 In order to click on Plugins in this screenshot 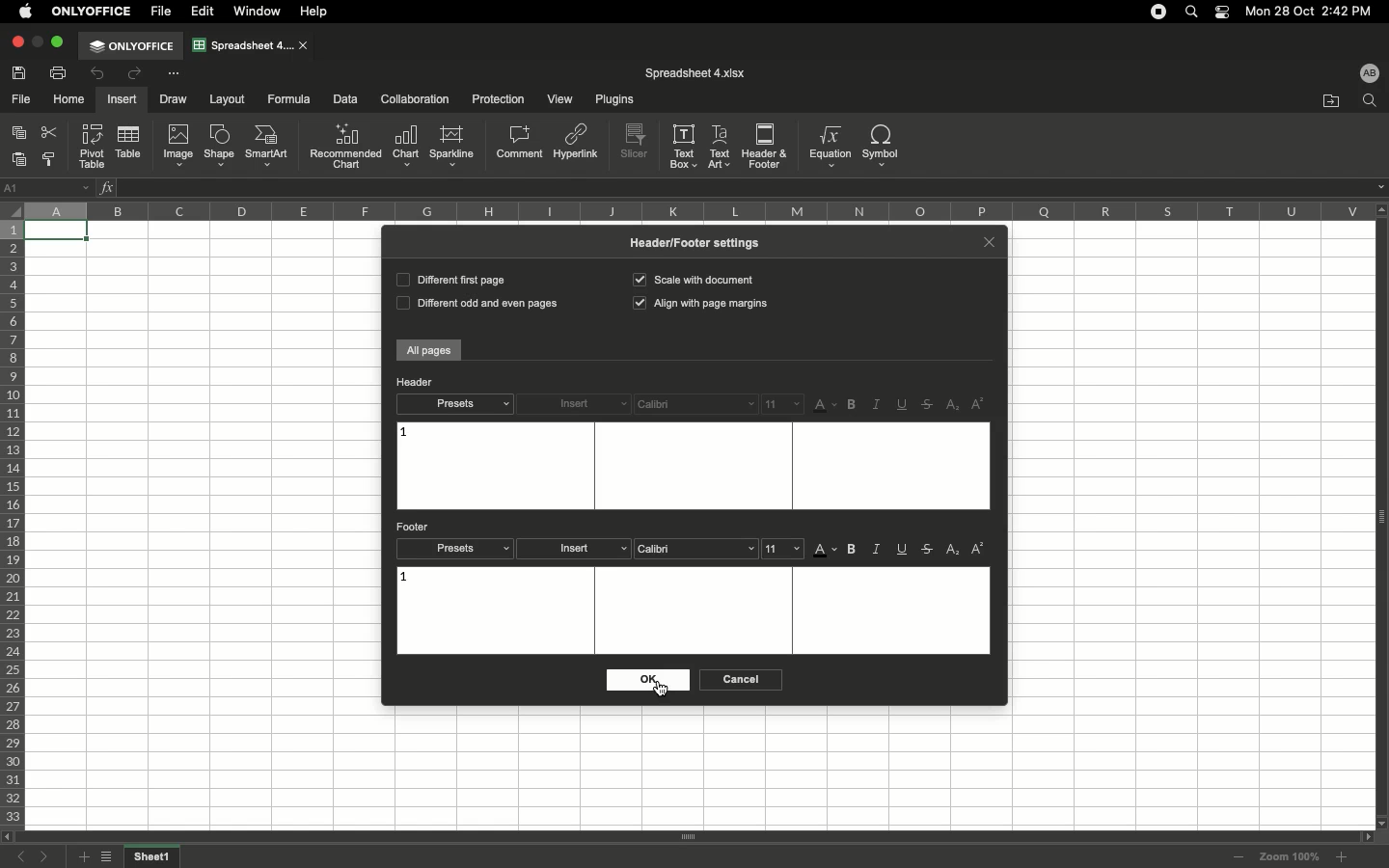, I will do `click(612, 100)`.